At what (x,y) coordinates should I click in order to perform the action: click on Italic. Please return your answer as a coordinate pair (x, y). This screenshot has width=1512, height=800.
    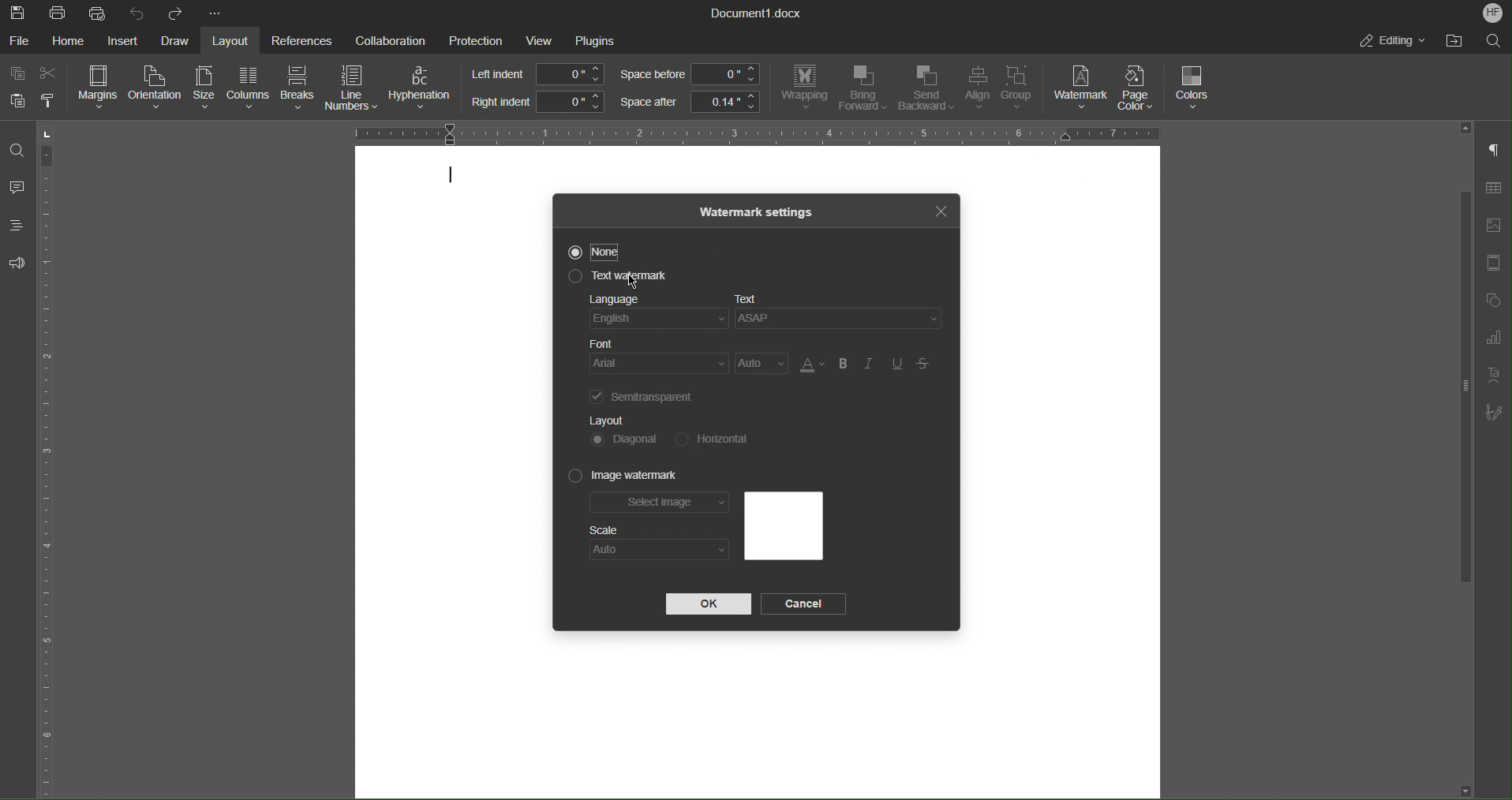
    Looking at the image, I should click on (870, 364).